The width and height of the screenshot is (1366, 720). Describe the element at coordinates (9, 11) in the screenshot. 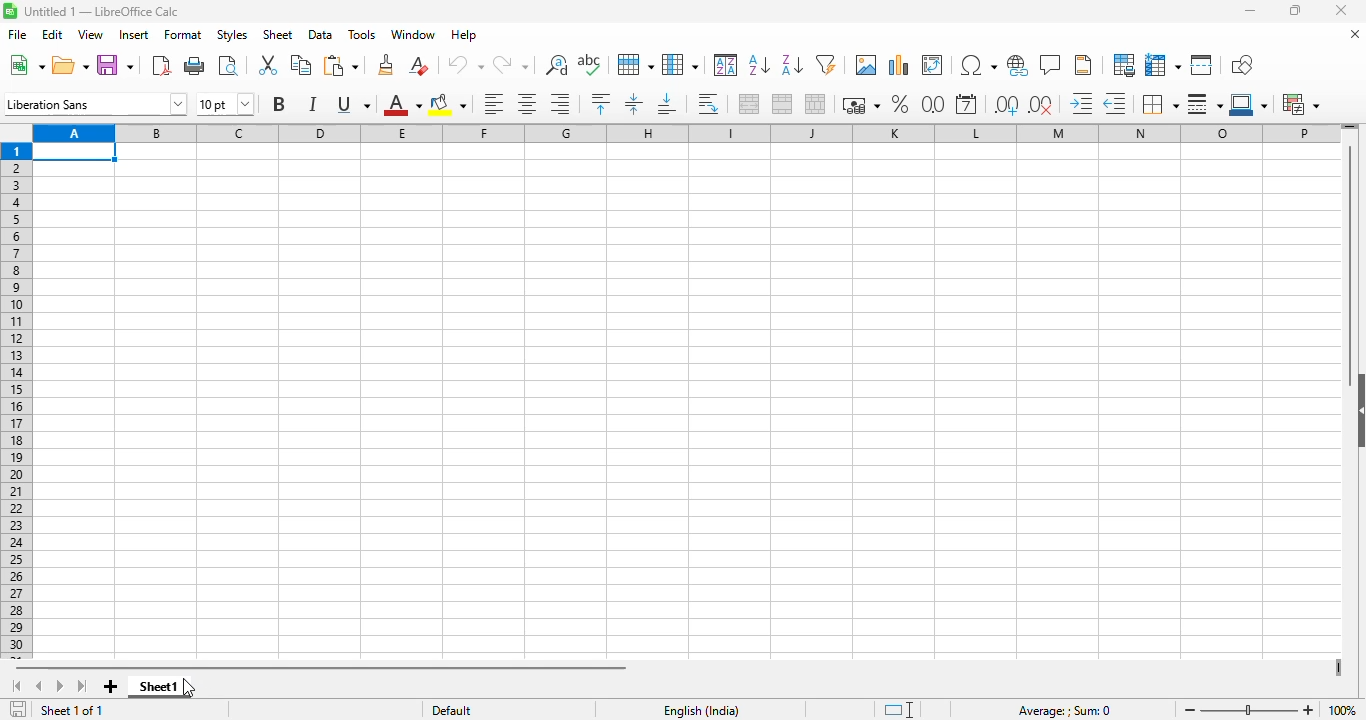

I see `Software logo` at that location.